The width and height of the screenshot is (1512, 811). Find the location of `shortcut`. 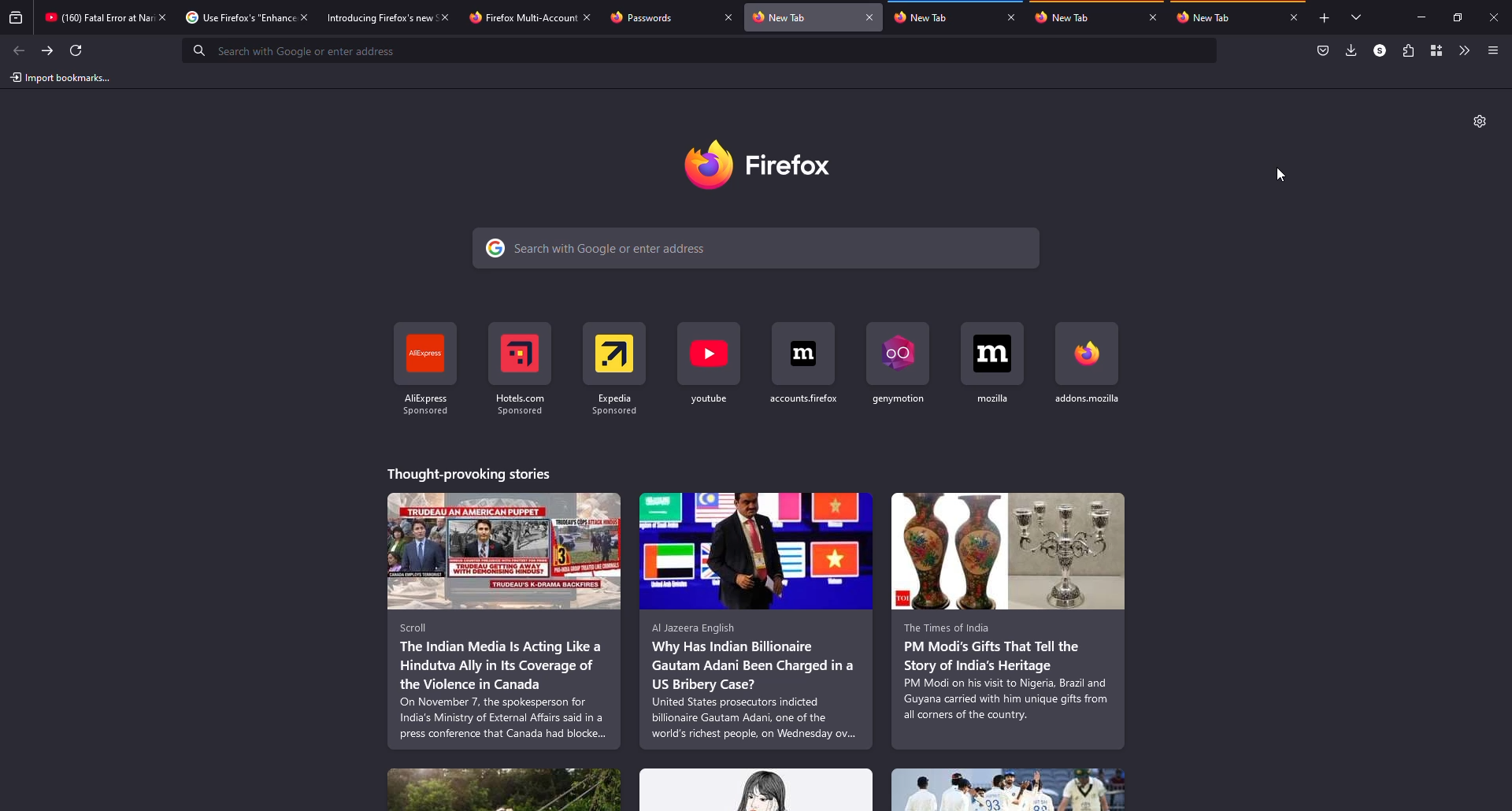

shortcut is located at coordinates (995, 364).